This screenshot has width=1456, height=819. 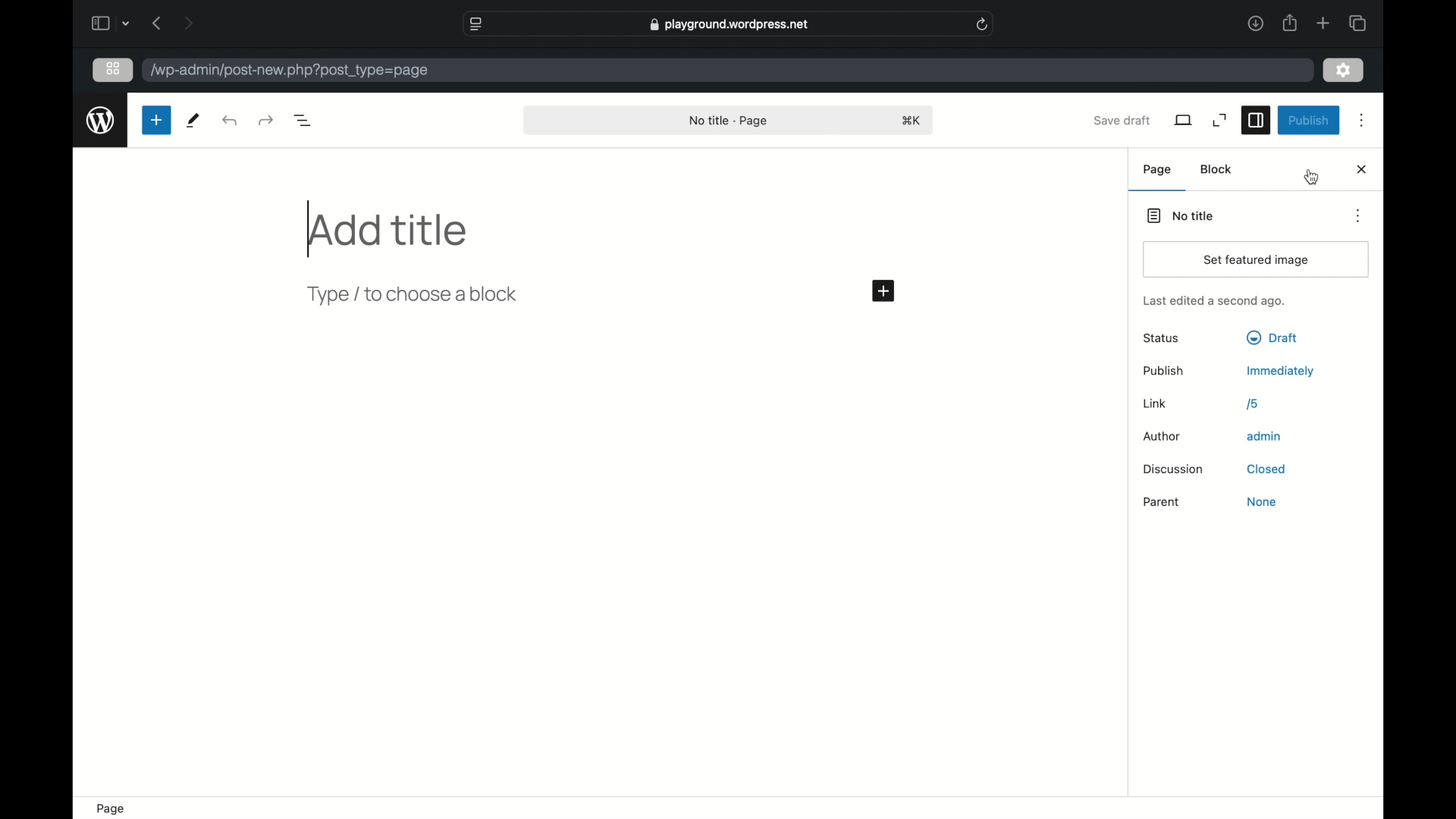 What do you see at coordinates (1309, 121) in the screenshot?
I see `publish` at bounding box center [1309, 121].